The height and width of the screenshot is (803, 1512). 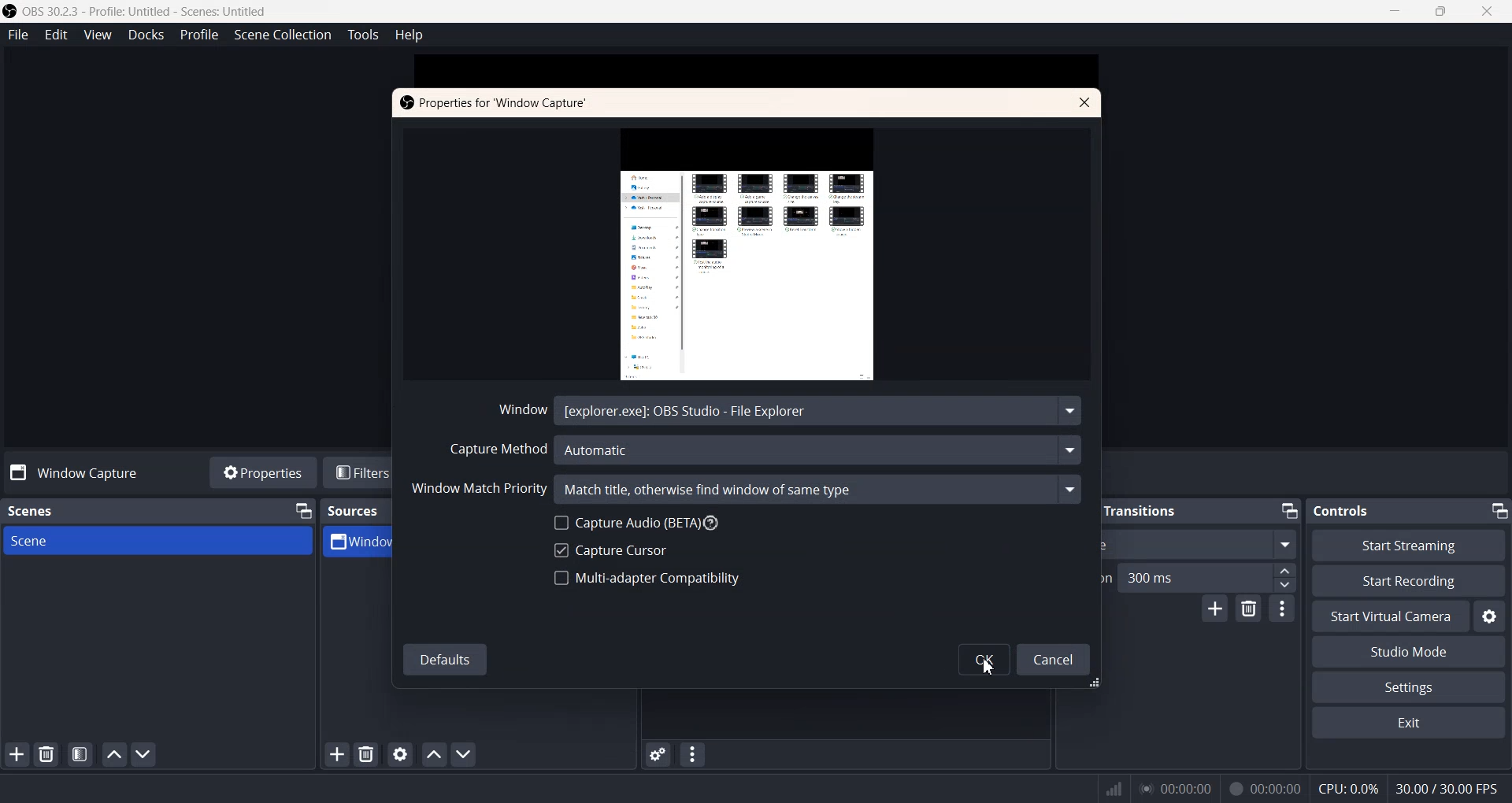 I want to click on More, so click(x=1283, y=607).